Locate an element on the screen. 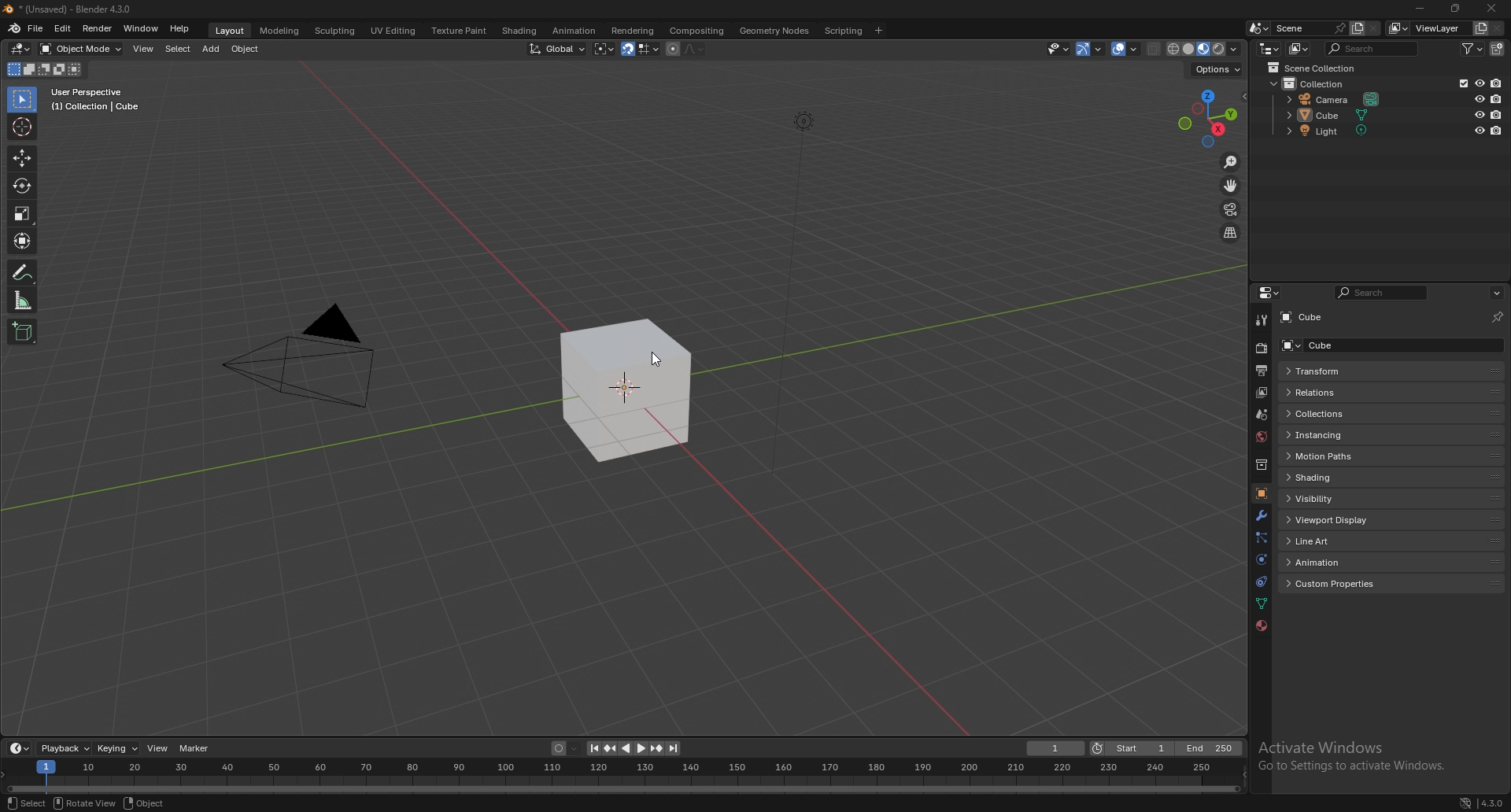  disable in renders is located at coordinates (1497, 83).